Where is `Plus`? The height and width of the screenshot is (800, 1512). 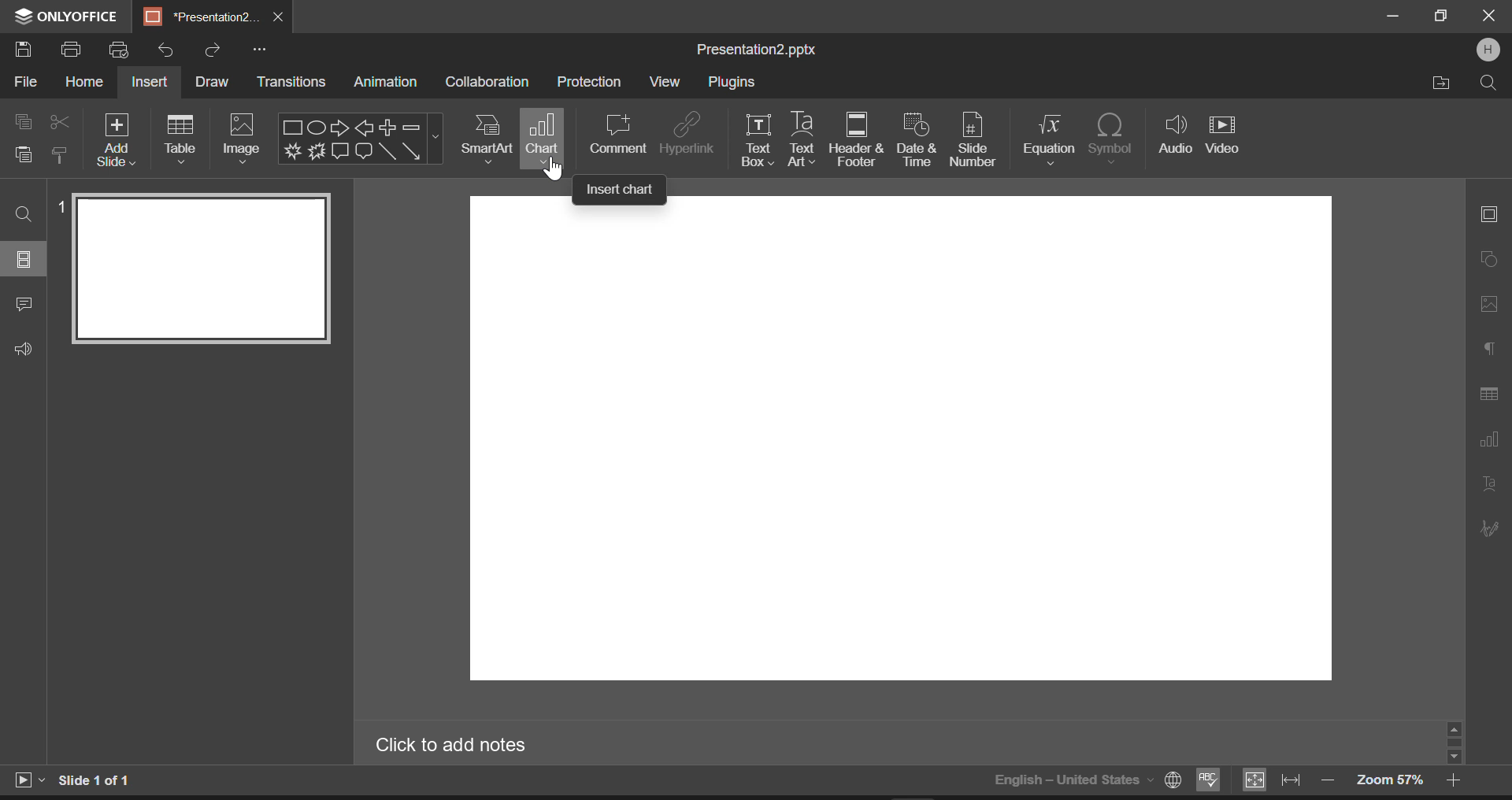 Plus is located at coordinates (387, 128).